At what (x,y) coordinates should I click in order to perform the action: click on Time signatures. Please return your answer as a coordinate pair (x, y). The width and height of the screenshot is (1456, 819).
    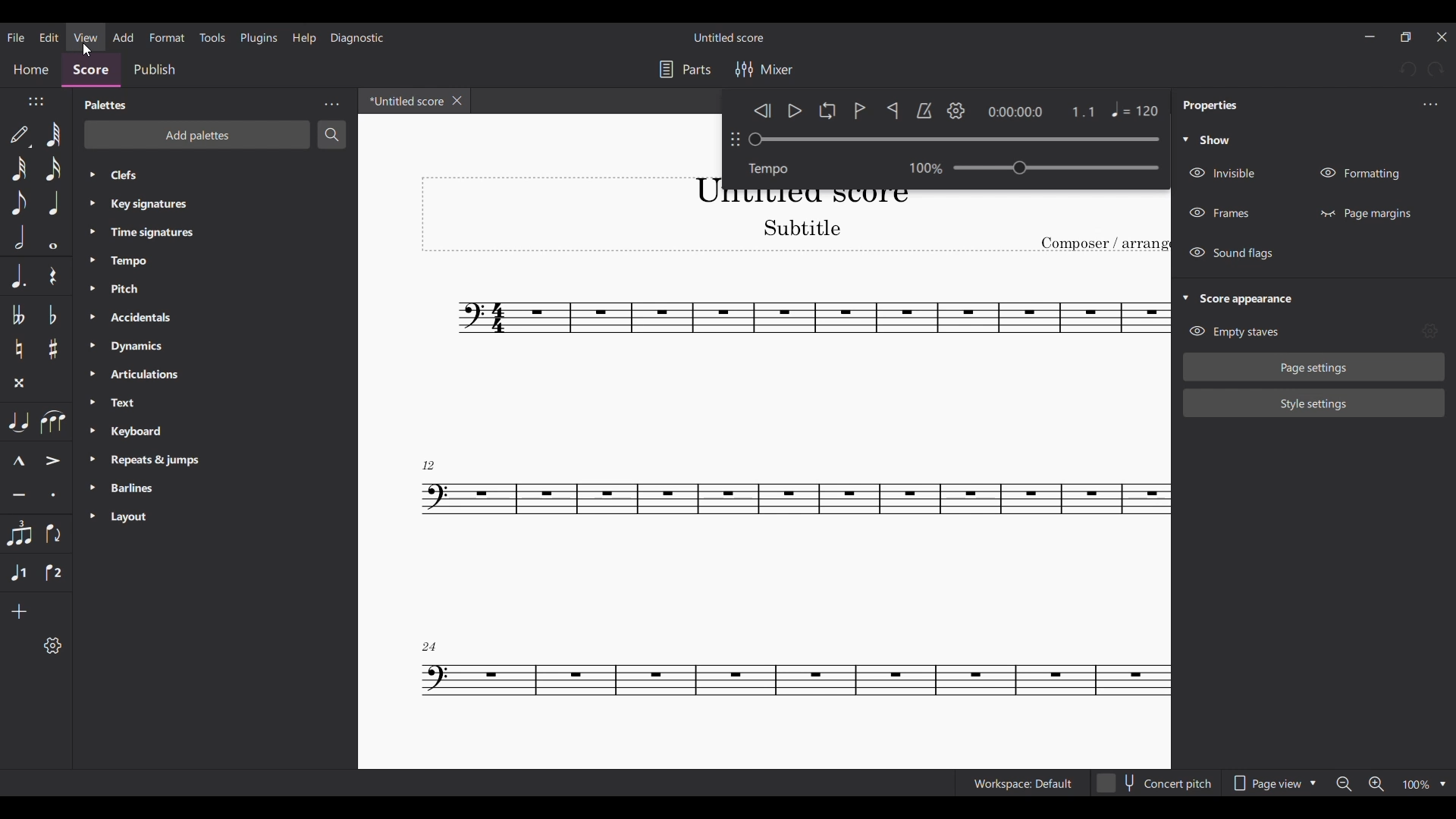
    Looking at the image, I should click on (199, 232).